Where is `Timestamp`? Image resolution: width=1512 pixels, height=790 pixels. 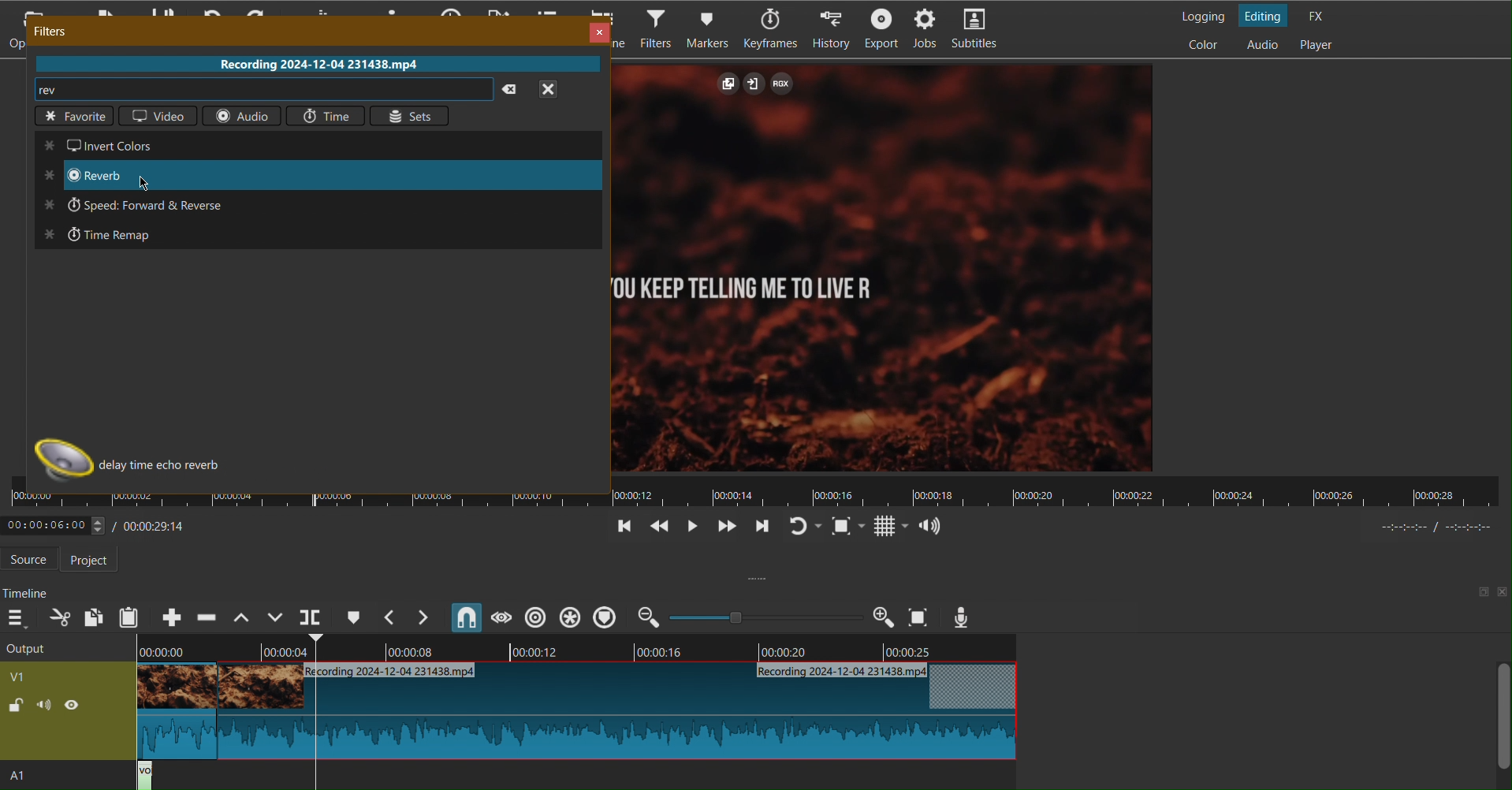
Timestamp is located at coordinates (103, 524).